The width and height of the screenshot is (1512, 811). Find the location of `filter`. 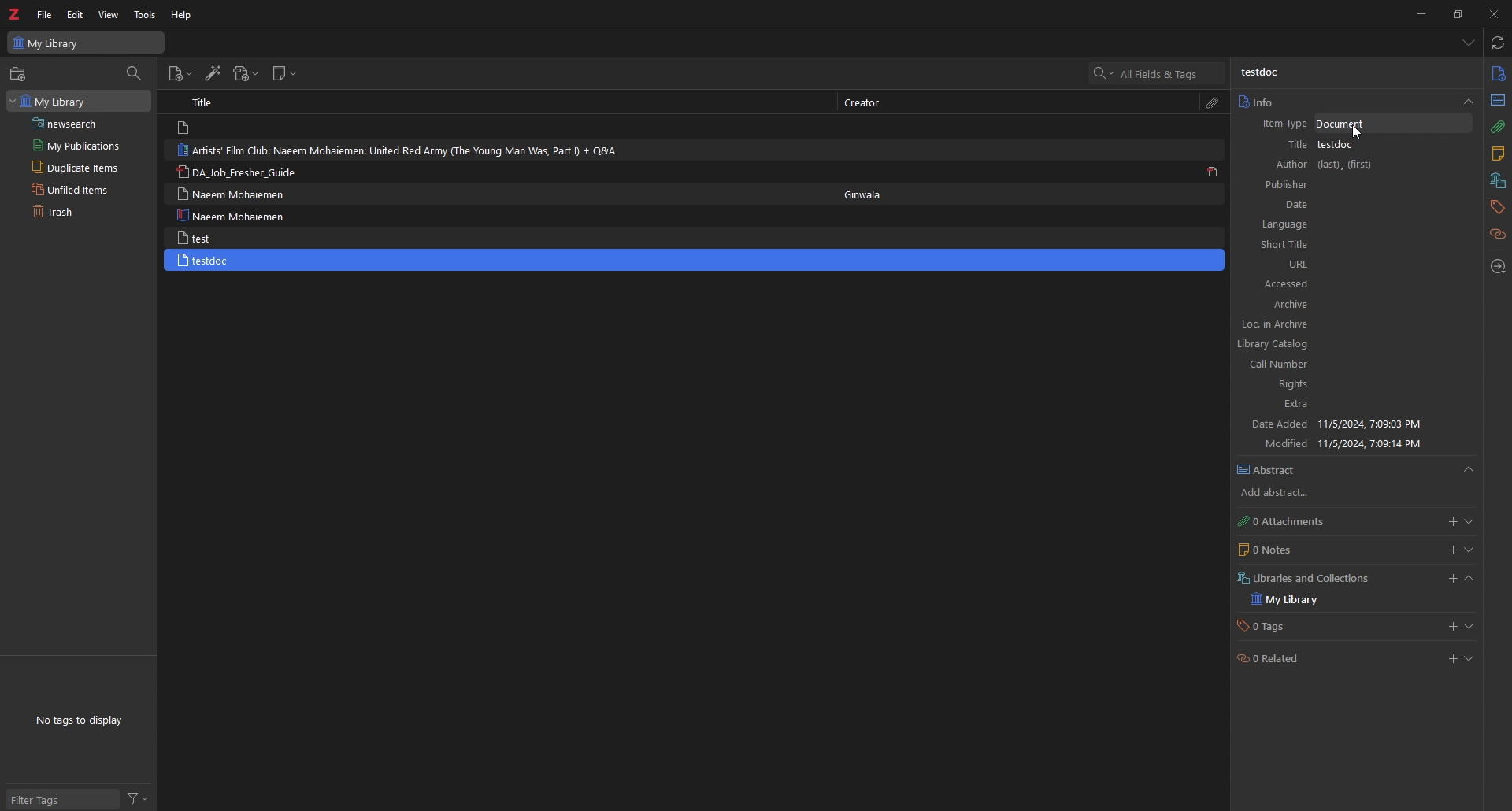

filter is located at coordinates (138, 799).